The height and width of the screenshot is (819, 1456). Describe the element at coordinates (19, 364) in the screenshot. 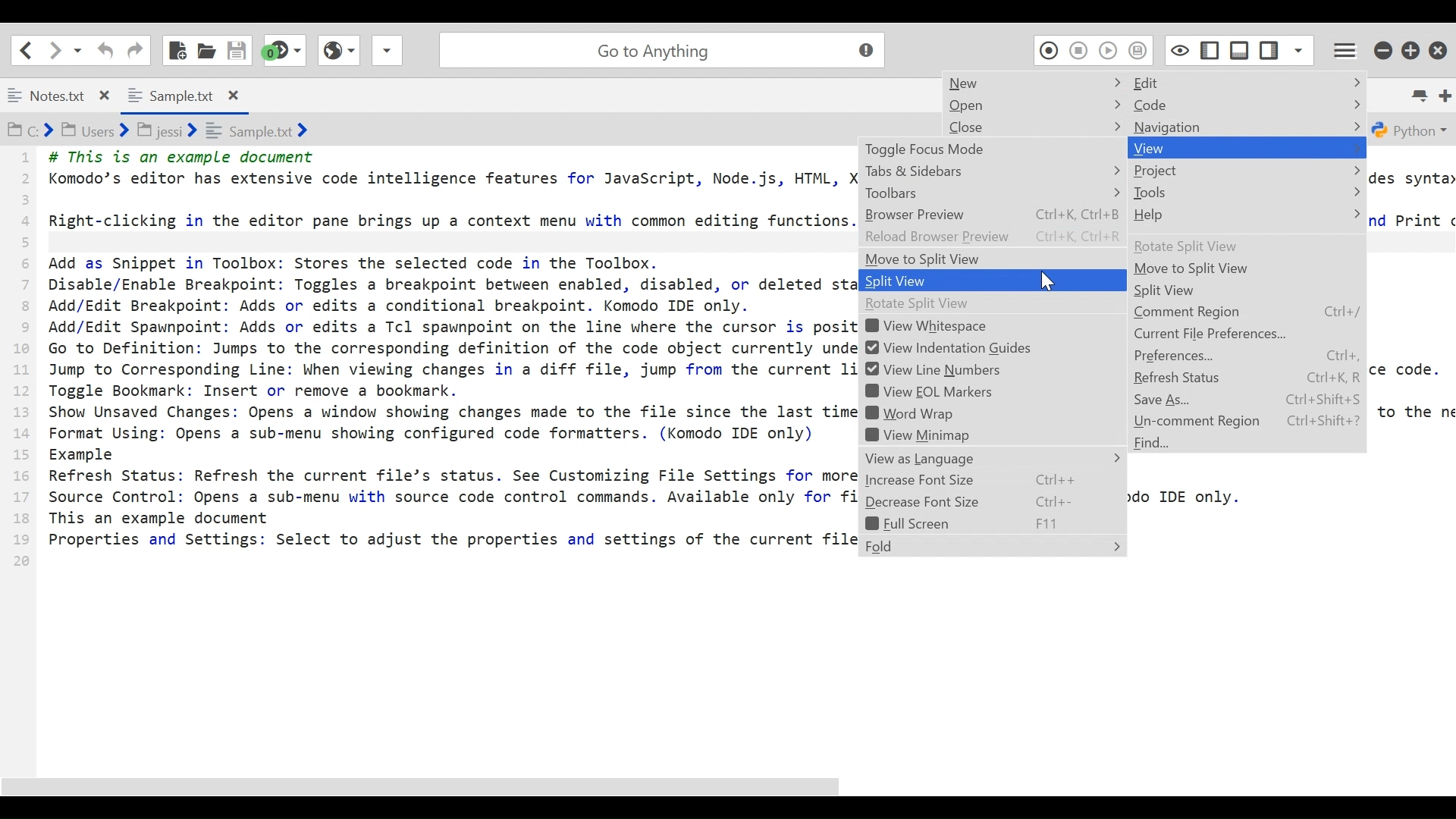

I see `1 2 3 4 5 6 7 8 9 10 11 12 13 14 15 16 17 18 19 20` at that location.